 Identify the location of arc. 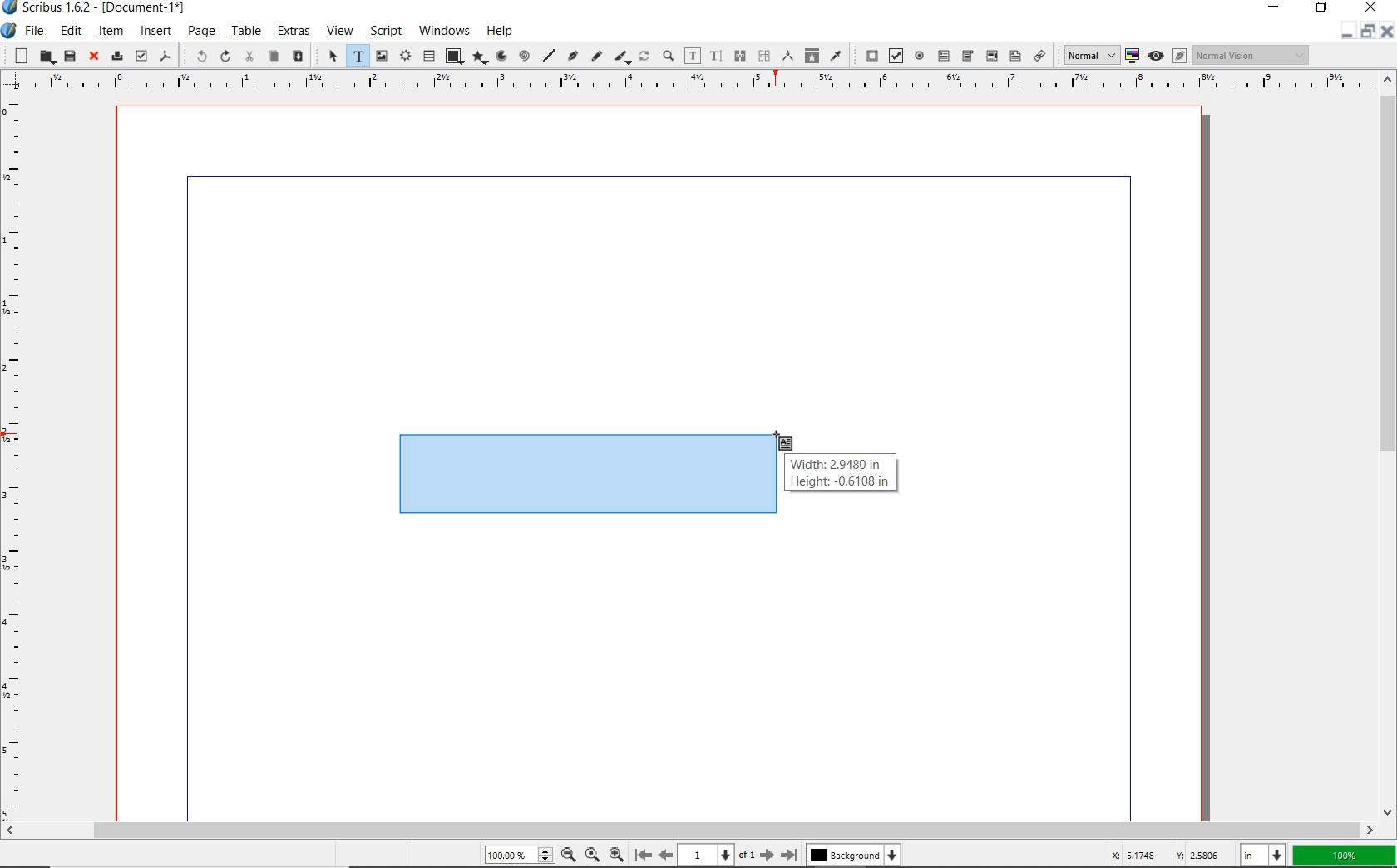
(500, 57).